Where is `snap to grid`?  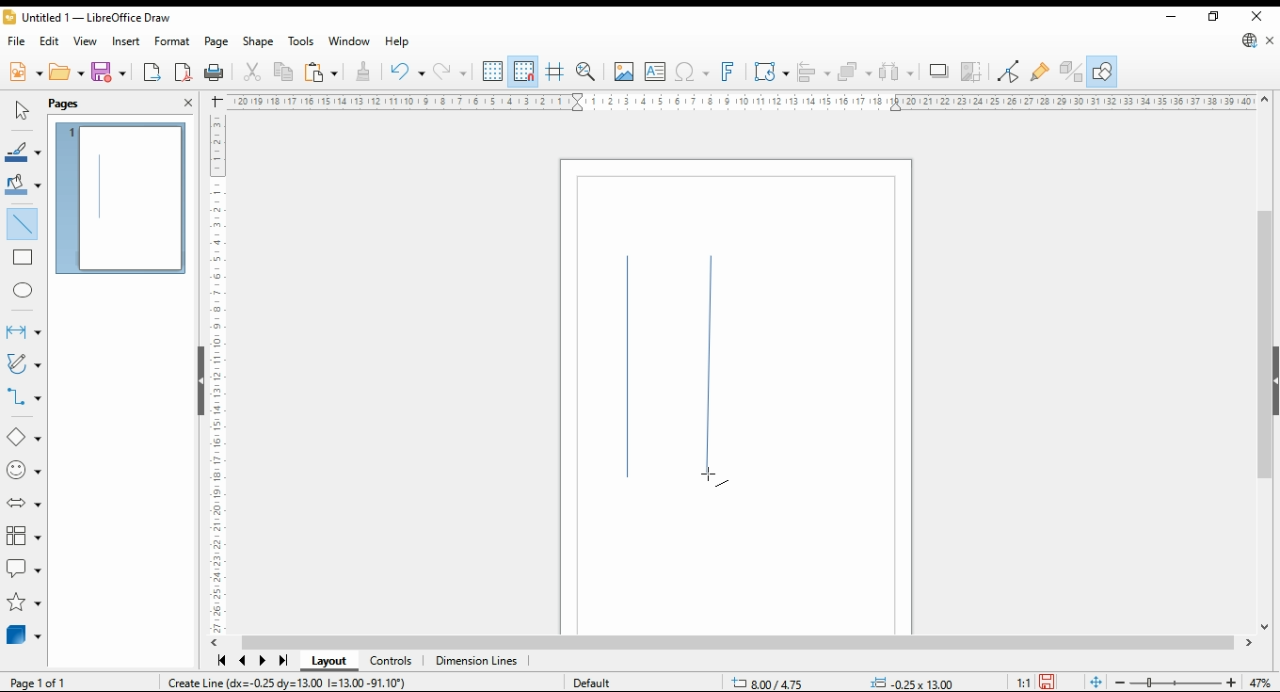
snap to grid is located at coordinates (523, 71).